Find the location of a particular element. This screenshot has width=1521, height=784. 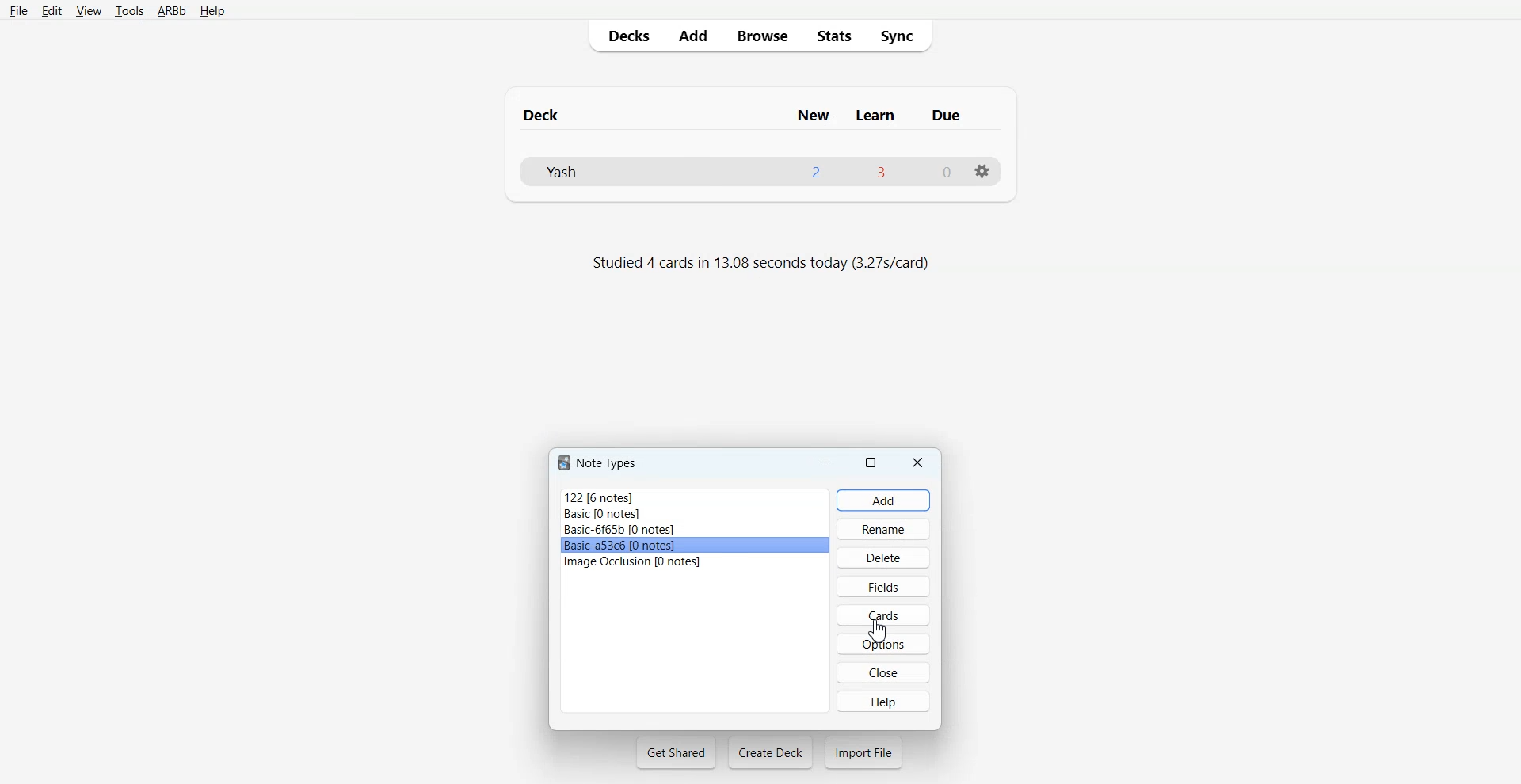

Note Types is located at coordinates (600, 462).